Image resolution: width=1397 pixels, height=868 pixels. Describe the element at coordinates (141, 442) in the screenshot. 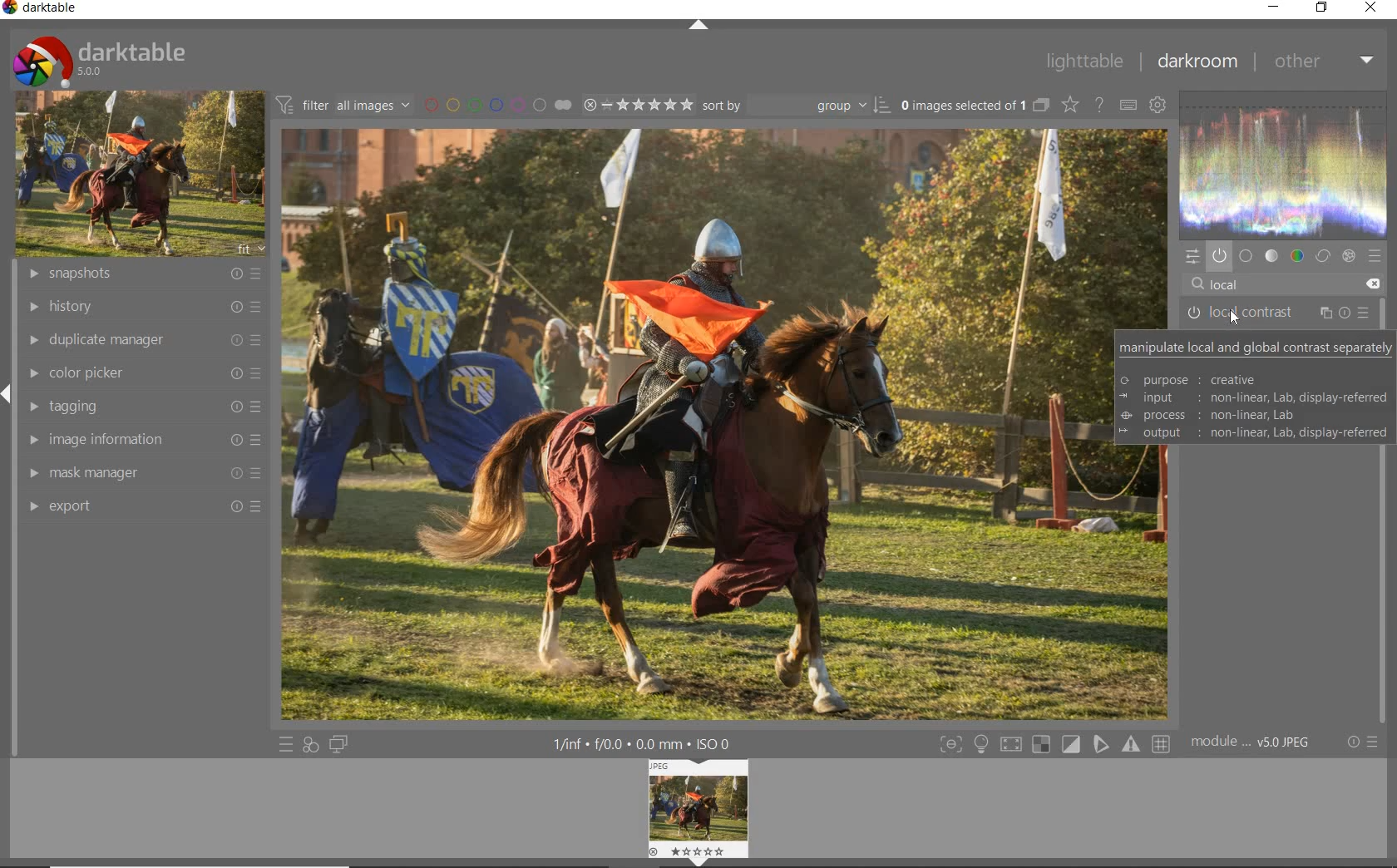

I see `image information` at that location.